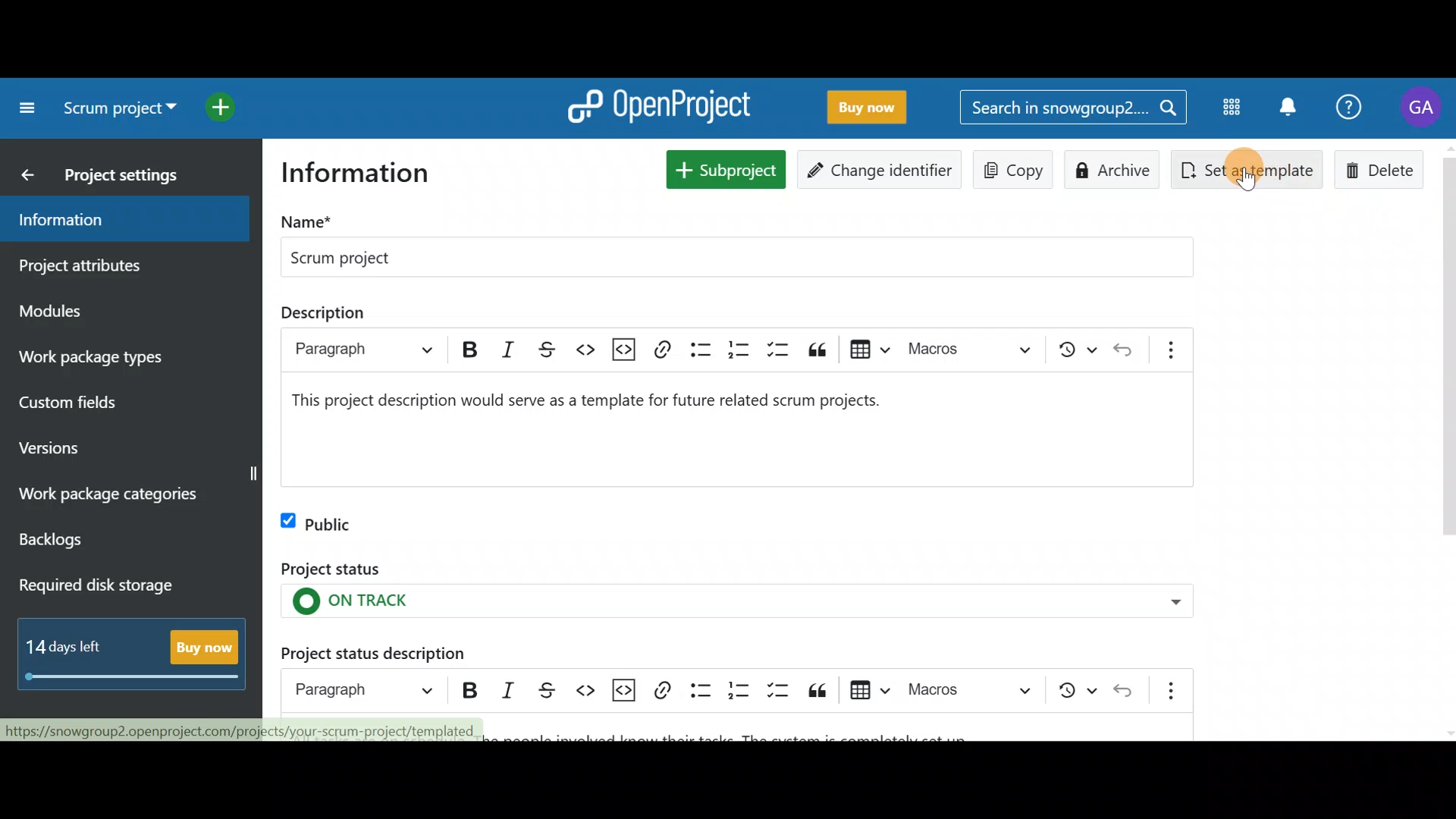  Describe the element at coordinates (623, 689) in the screenshot. I see `Insert code snippet` at that location.